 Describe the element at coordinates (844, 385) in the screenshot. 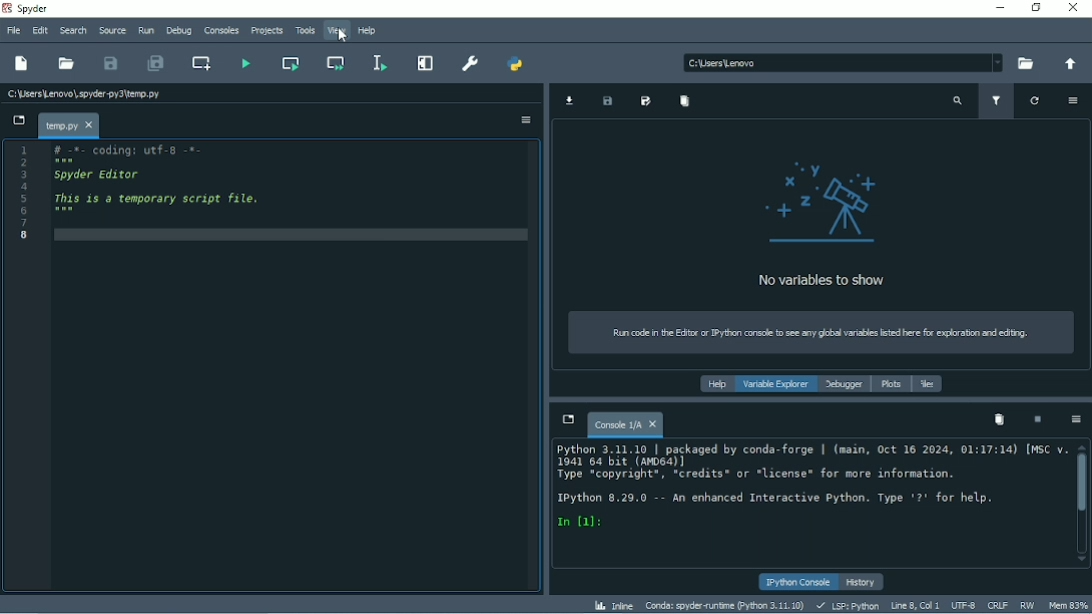

I see `Debugger` at that location.